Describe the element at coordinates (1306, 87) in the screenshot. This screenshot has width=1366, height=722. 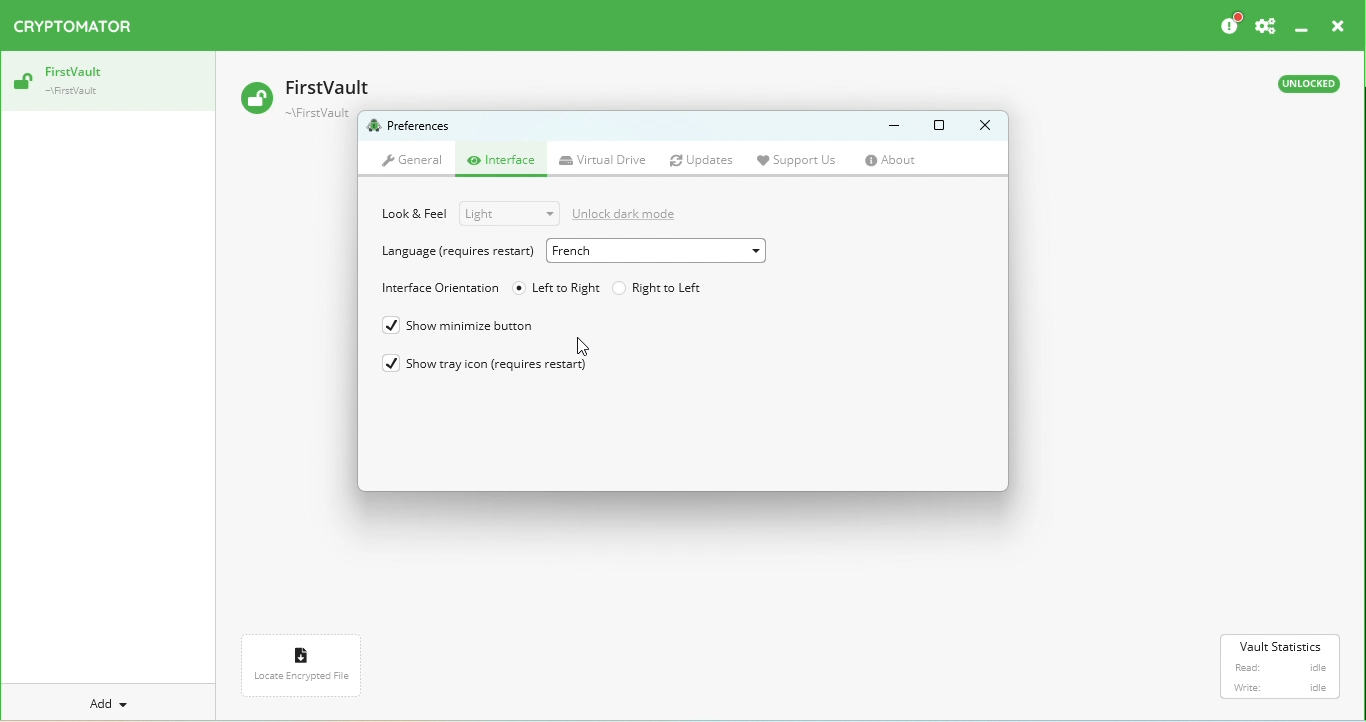
I see `Unlocked` at that location.